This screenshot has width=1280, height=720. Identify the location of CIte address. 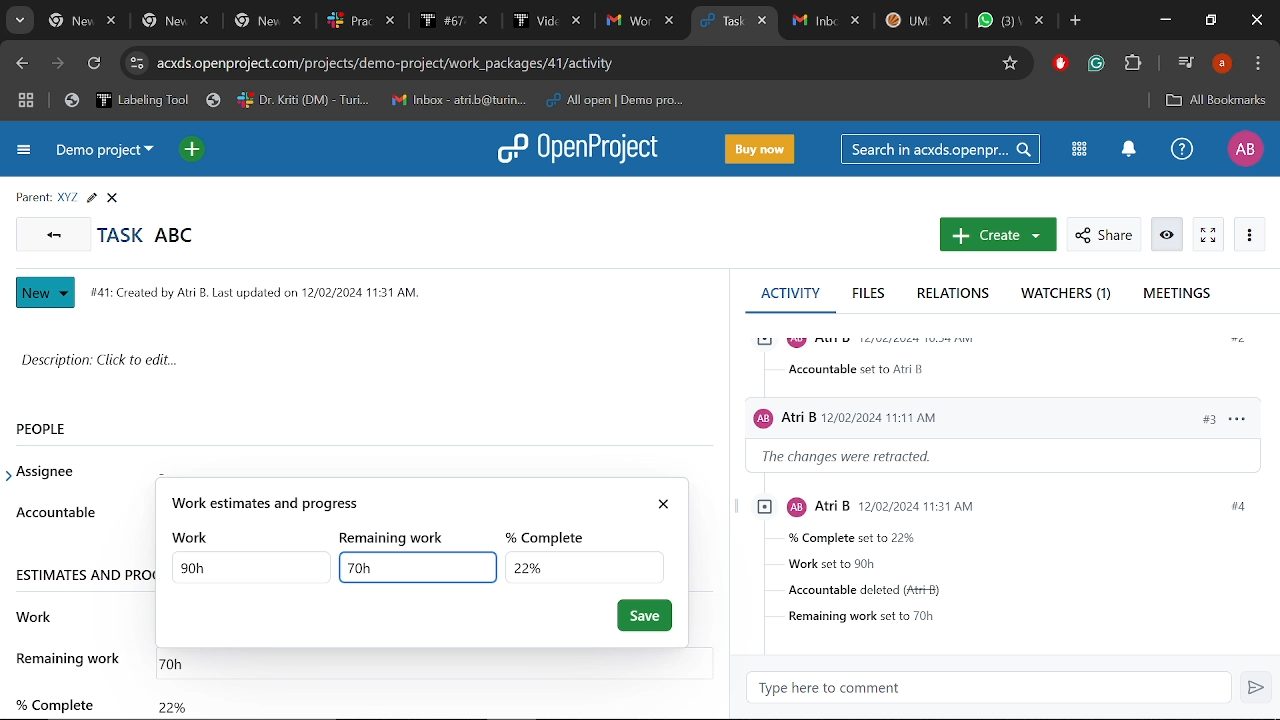
(571, 62).